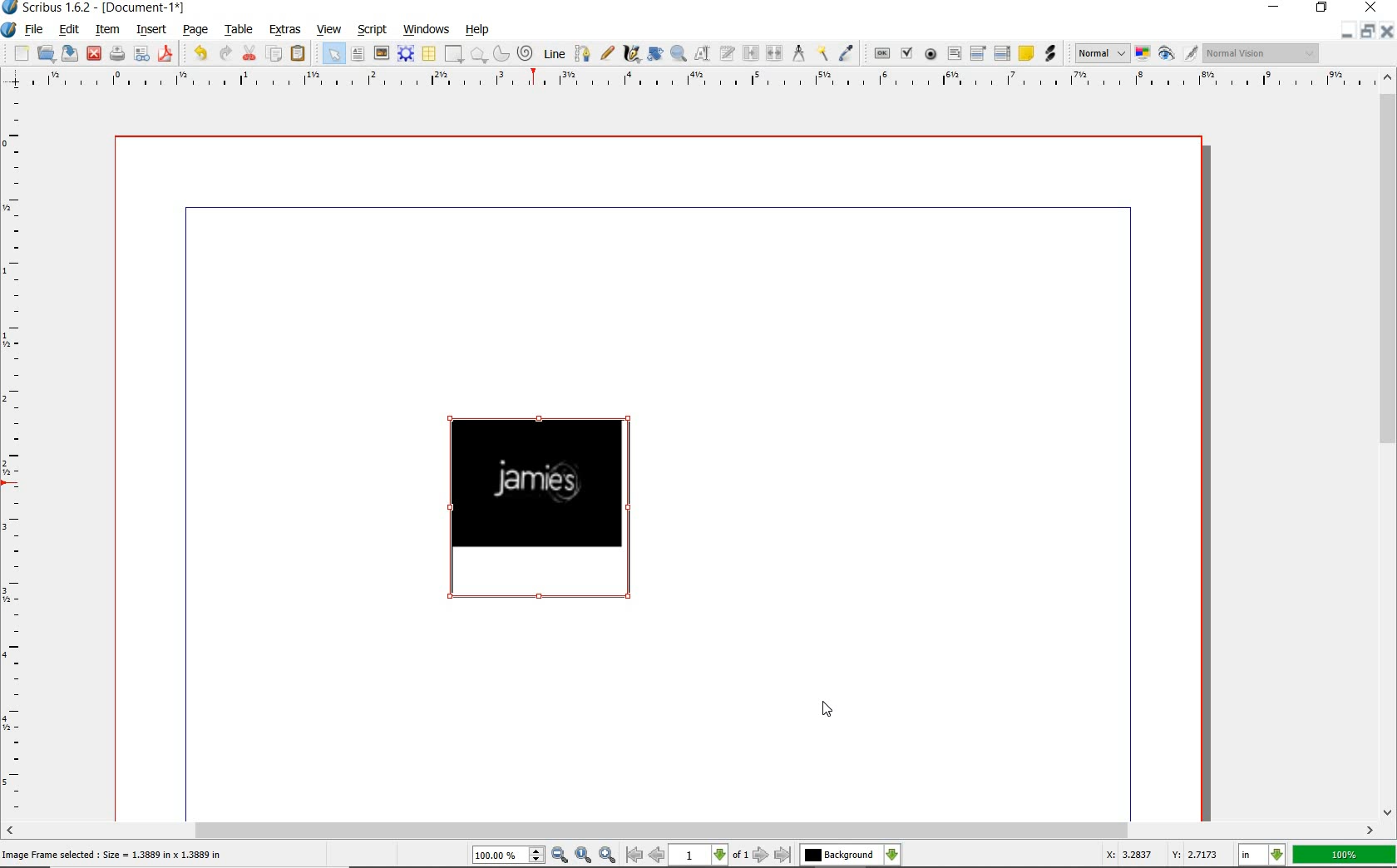 This screenshot has width=1397, height=868. I want to click on preflight verifier, so click(143, 54).